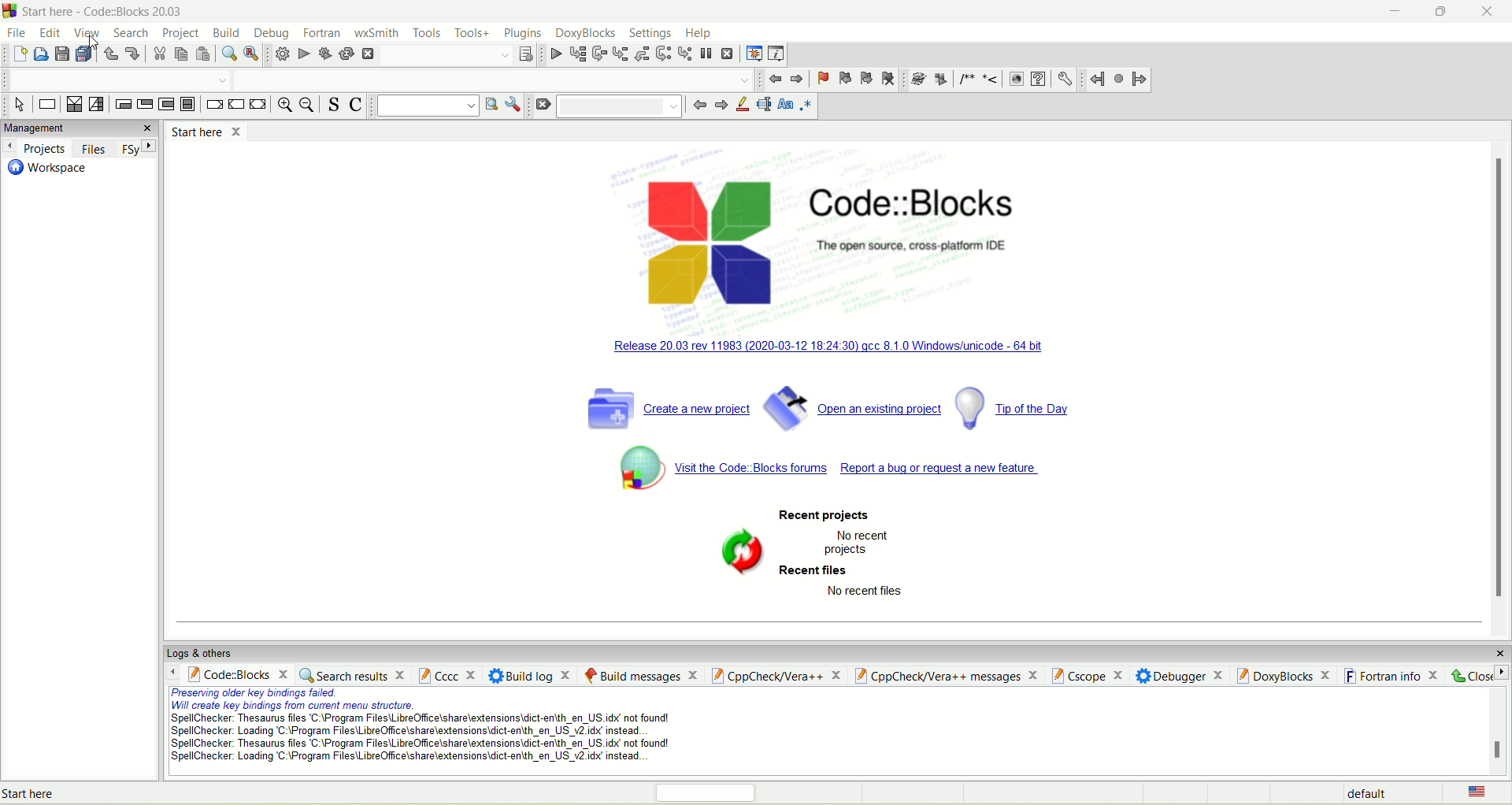 This screenshot has height=805, width=1512. What do you see at coordinates (708, 54) in the screenshot?
I see `break debugger` at bounding box center [708, 54].